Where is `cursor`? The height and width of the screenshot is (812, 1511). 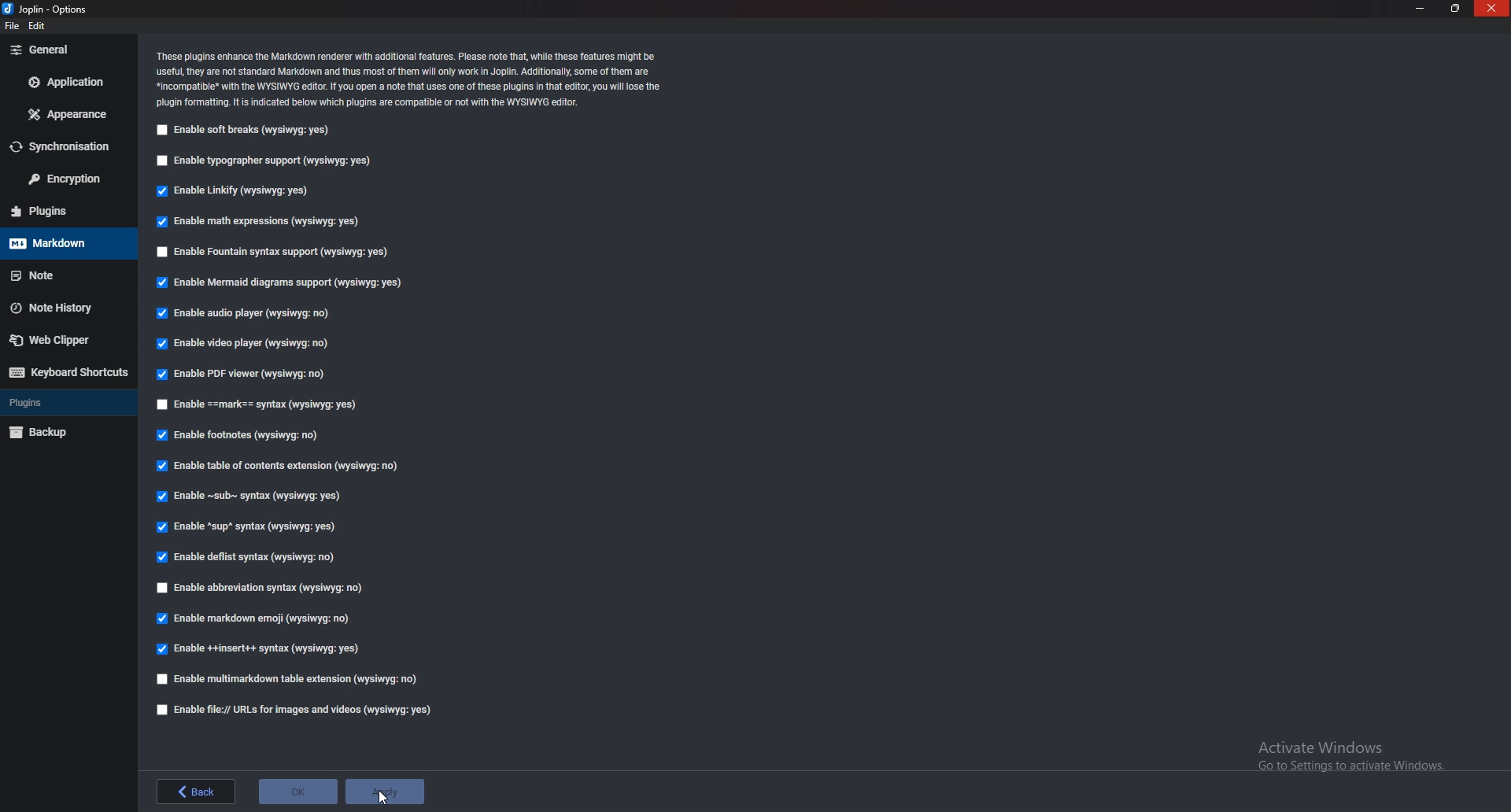
cursor is located at coordinates (385, 799).